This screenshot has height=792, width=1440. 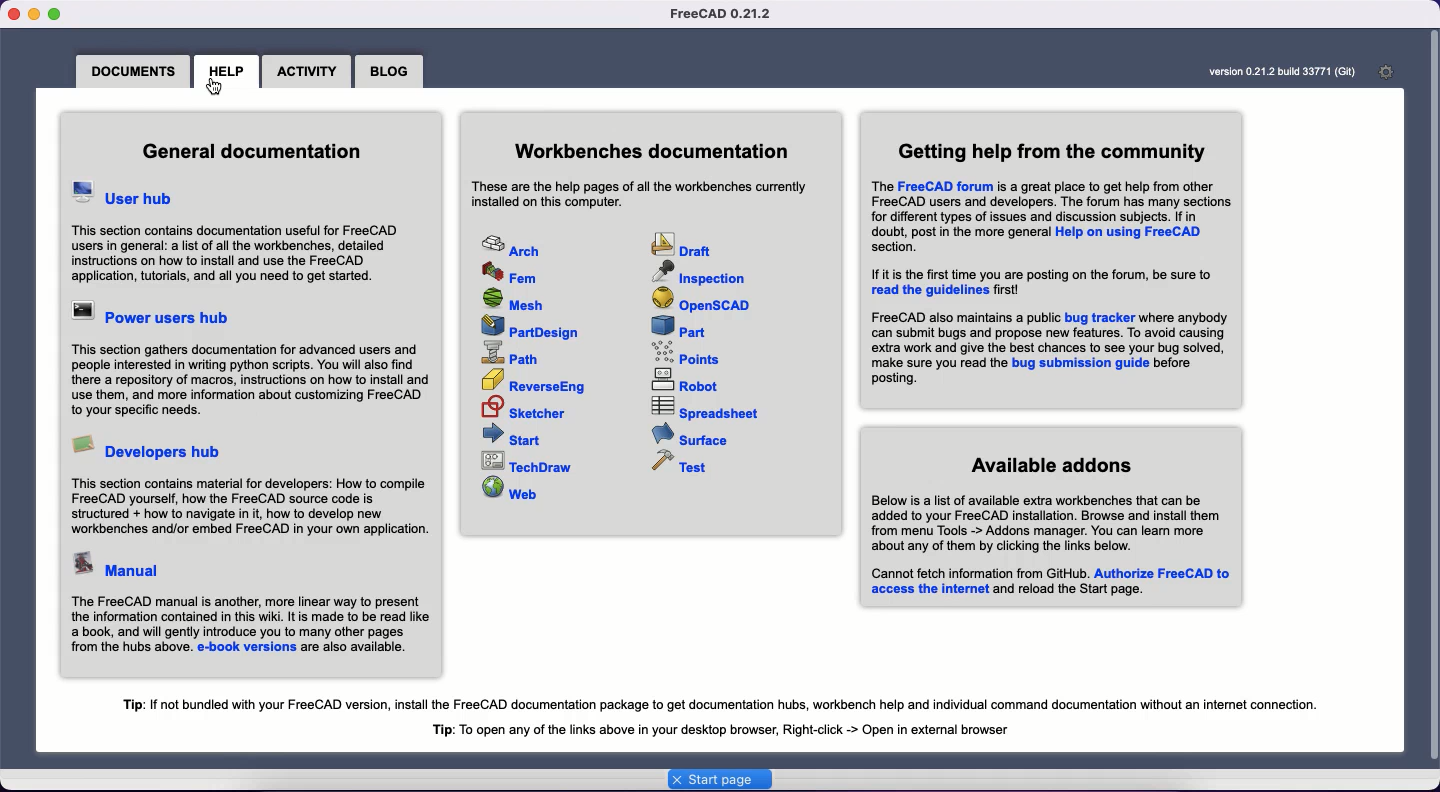 I want to click on Maximize, so click(x=63, y=14).